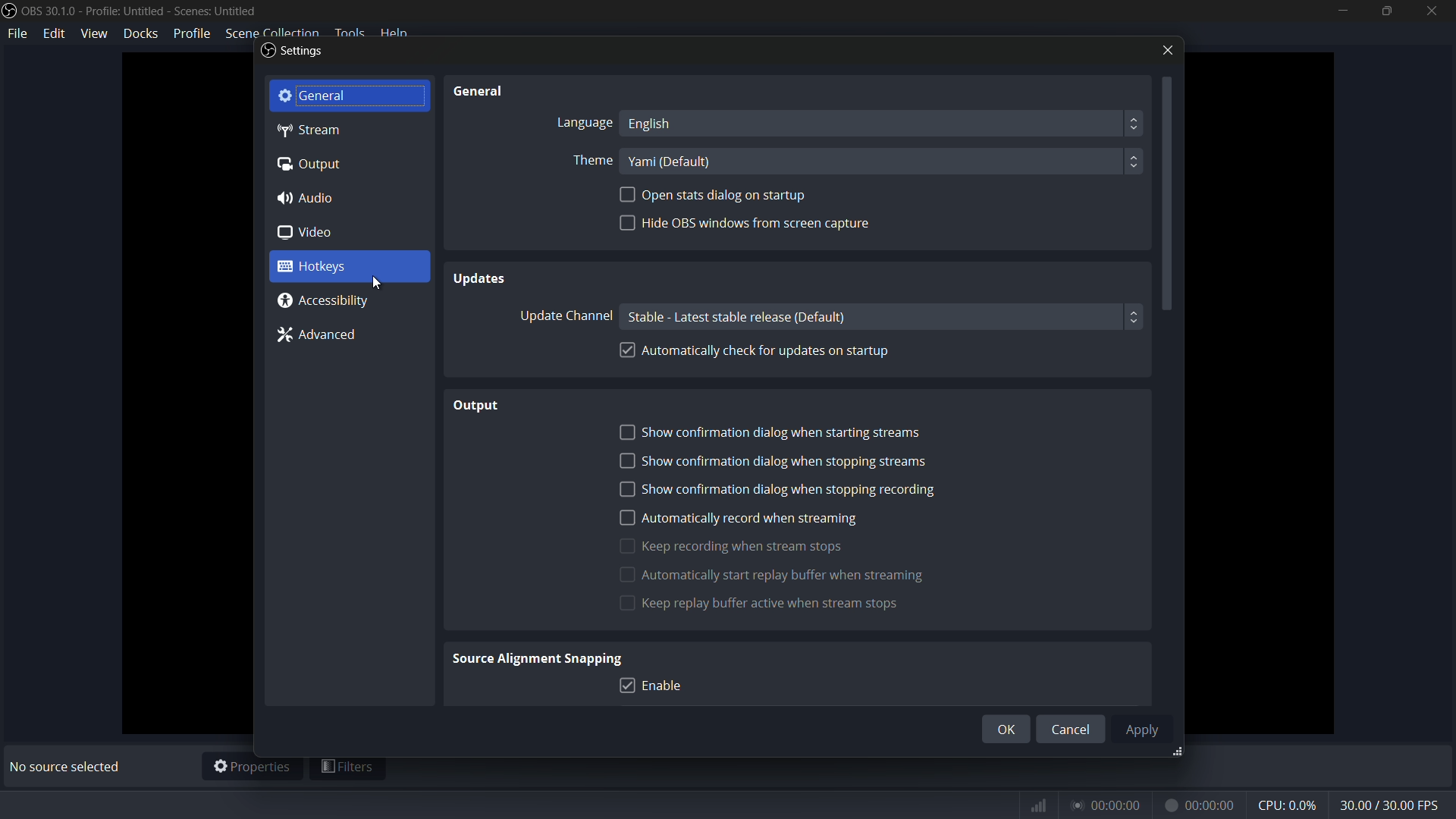 The height and width of the screenshot is (819, 1456). What do you see at coordinates (1132, 318) in the screenshot?
I see `up/down botton` at bounding box center [1132, 318].